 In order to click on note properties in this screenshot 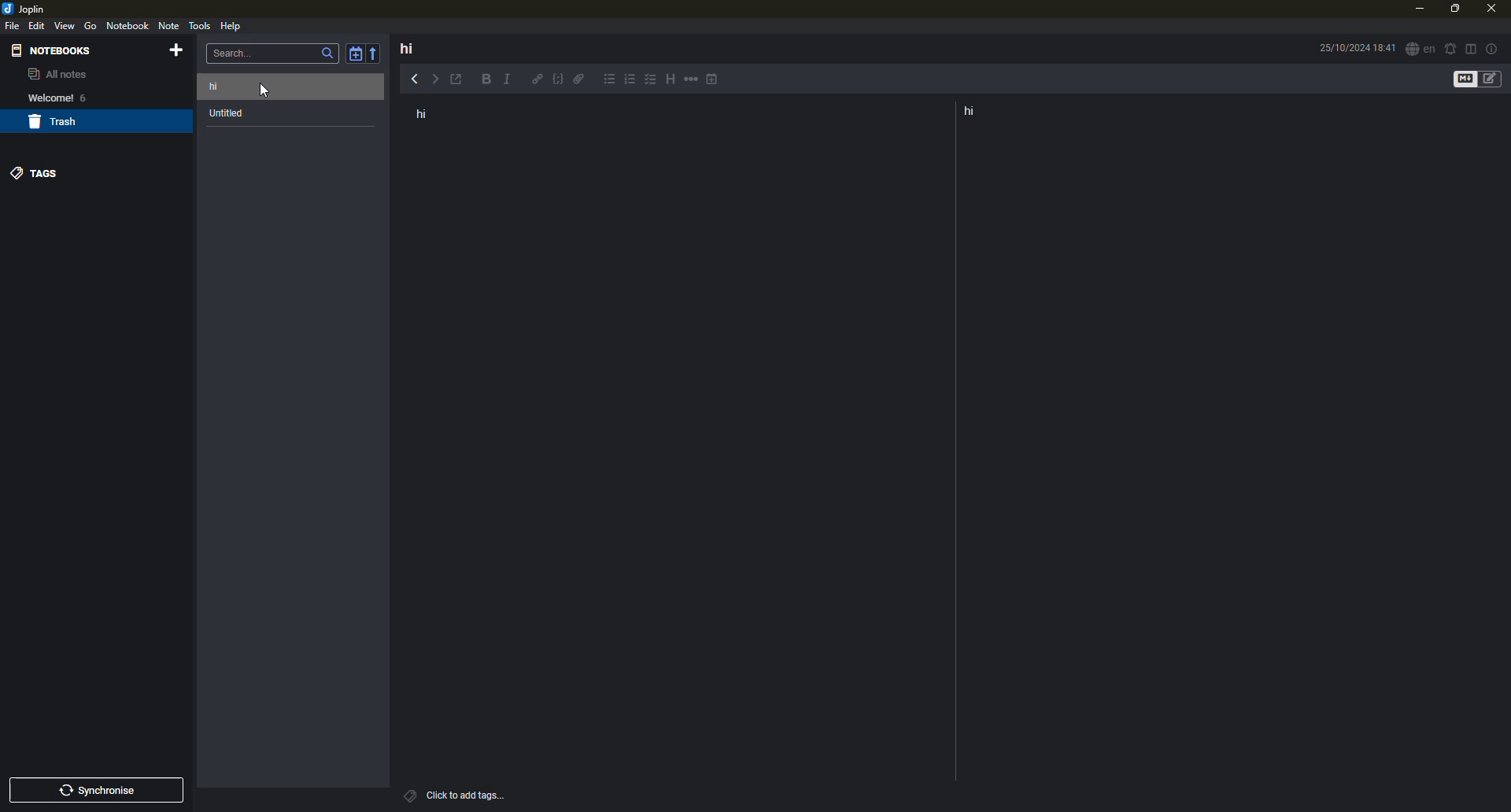, I will do `click(1493, 48)`.